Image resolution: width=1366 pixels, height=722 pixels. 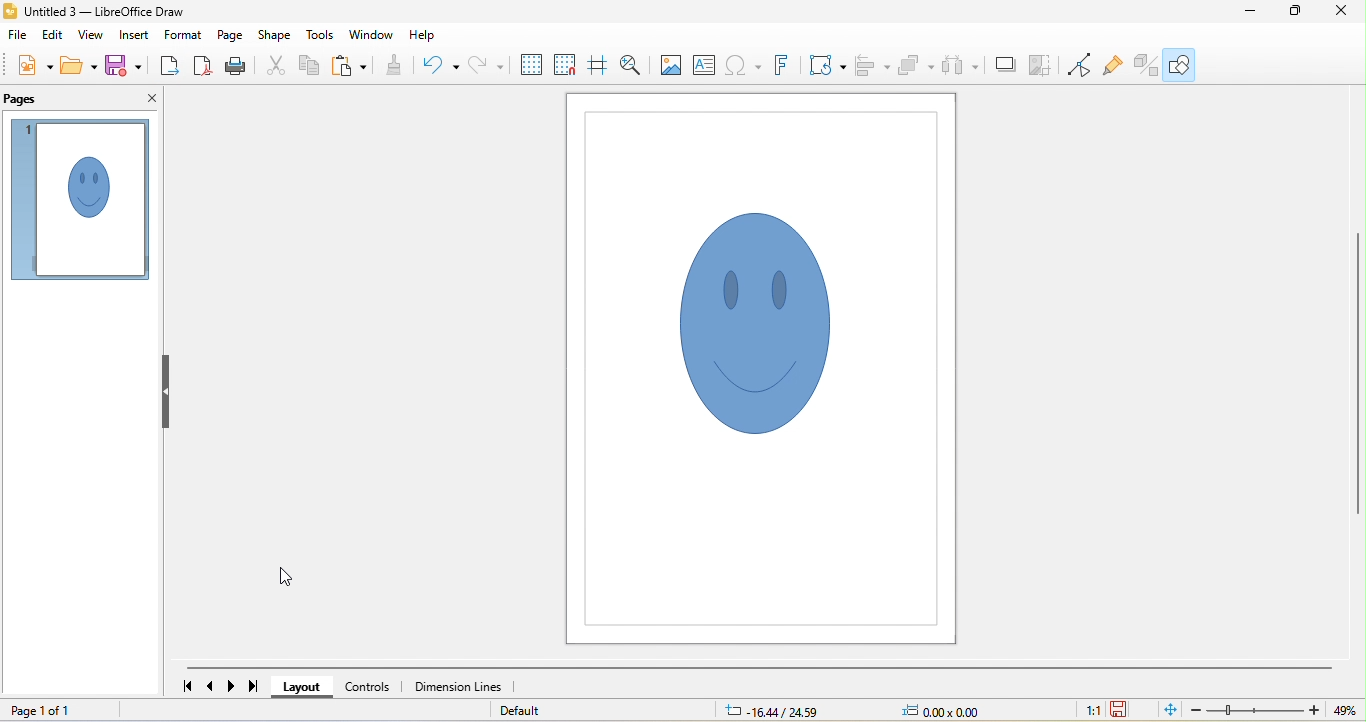 What do you see at coordinates (290, 579) in the screenshot?
I see `cursor` at bounding box center [290, 579].